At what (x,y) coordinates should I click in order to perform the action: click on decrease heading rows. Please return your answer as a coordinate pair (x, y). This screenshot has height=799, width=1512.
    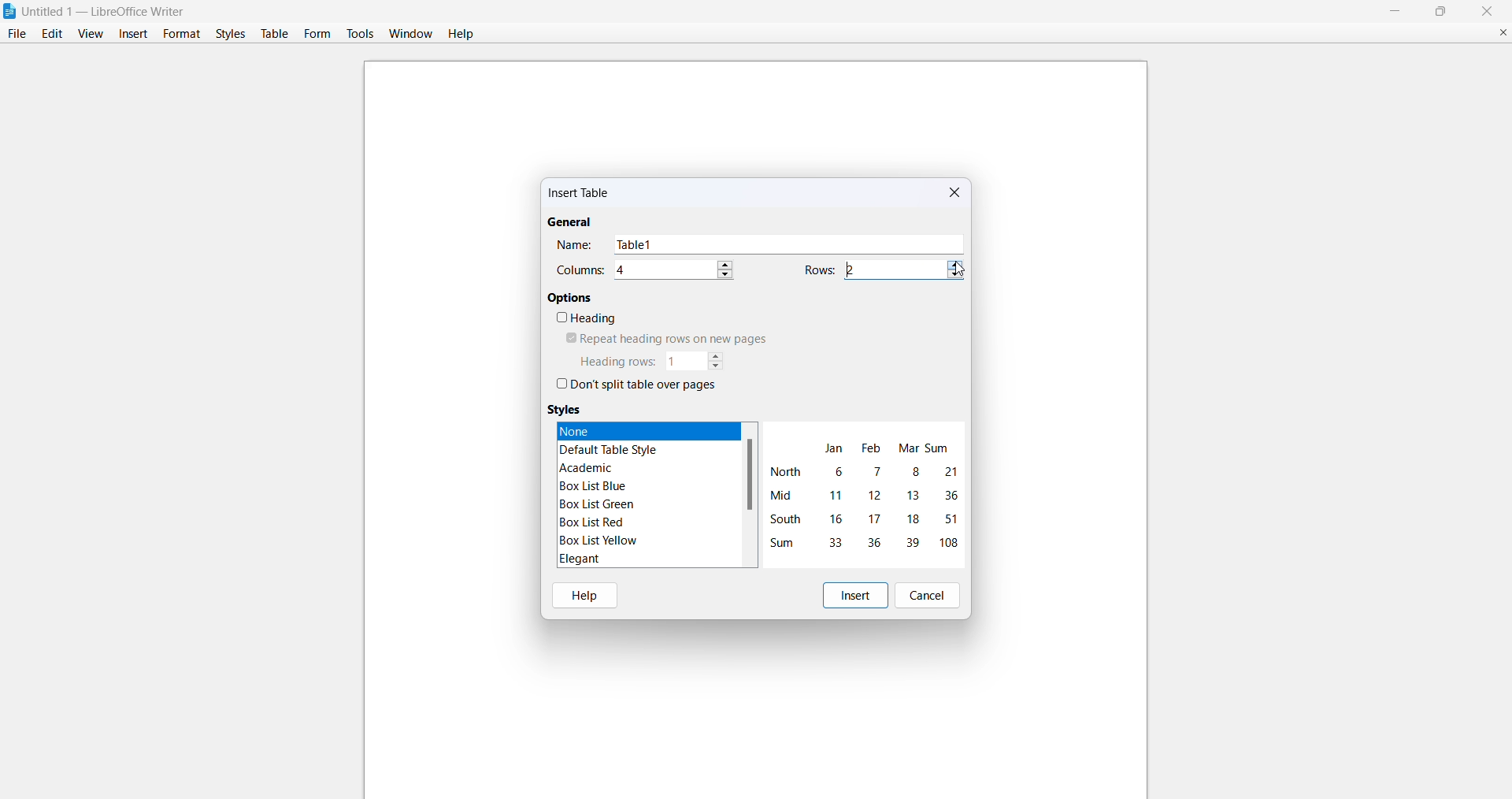
    Looking at the image, I should click on (717, 367).